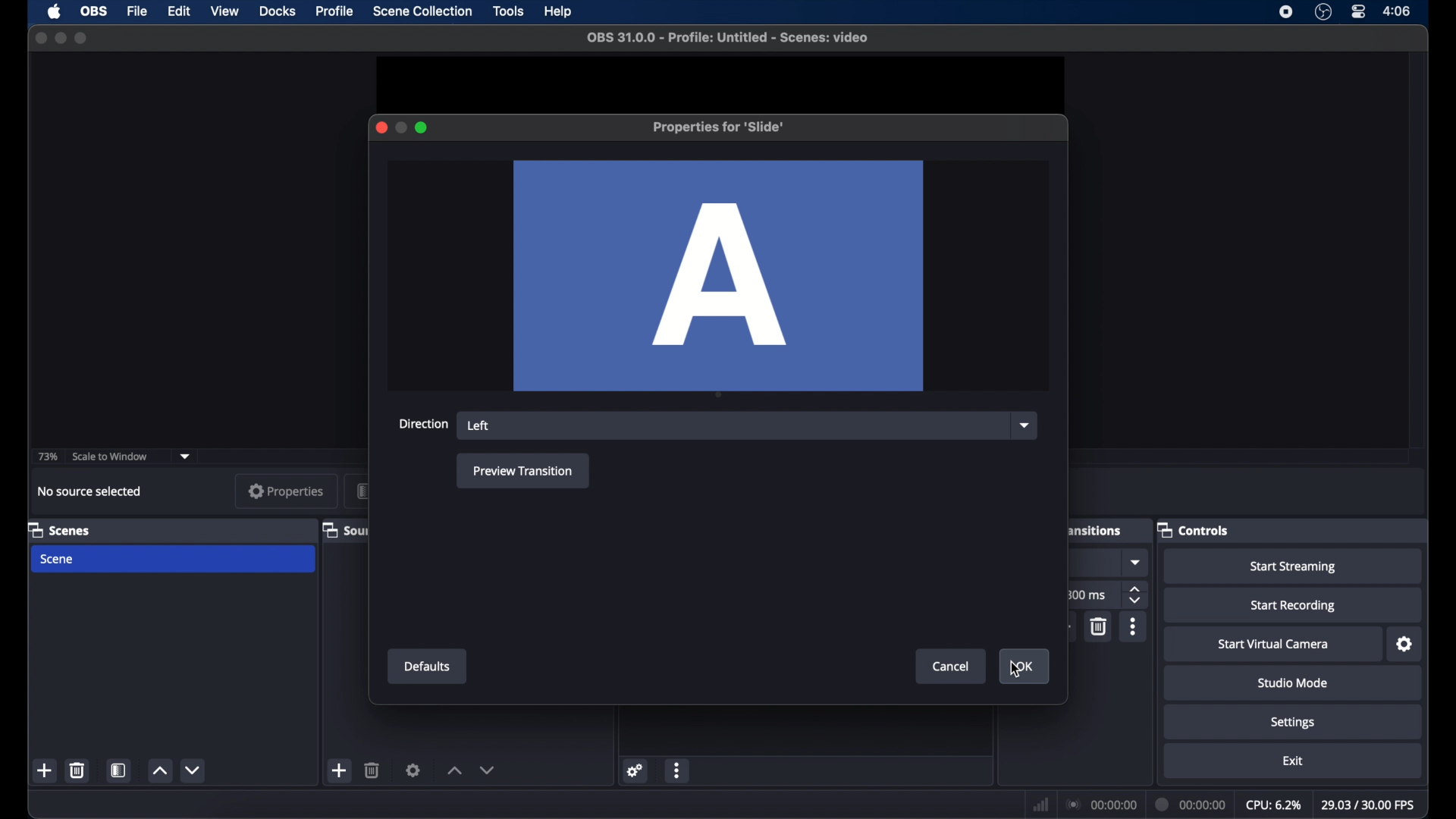 The height and width of the screenshot is (819, 1456). What do you see at coordinates (413, 770) in the screenshot?
I see `settings` at bounding box center [413, 770].